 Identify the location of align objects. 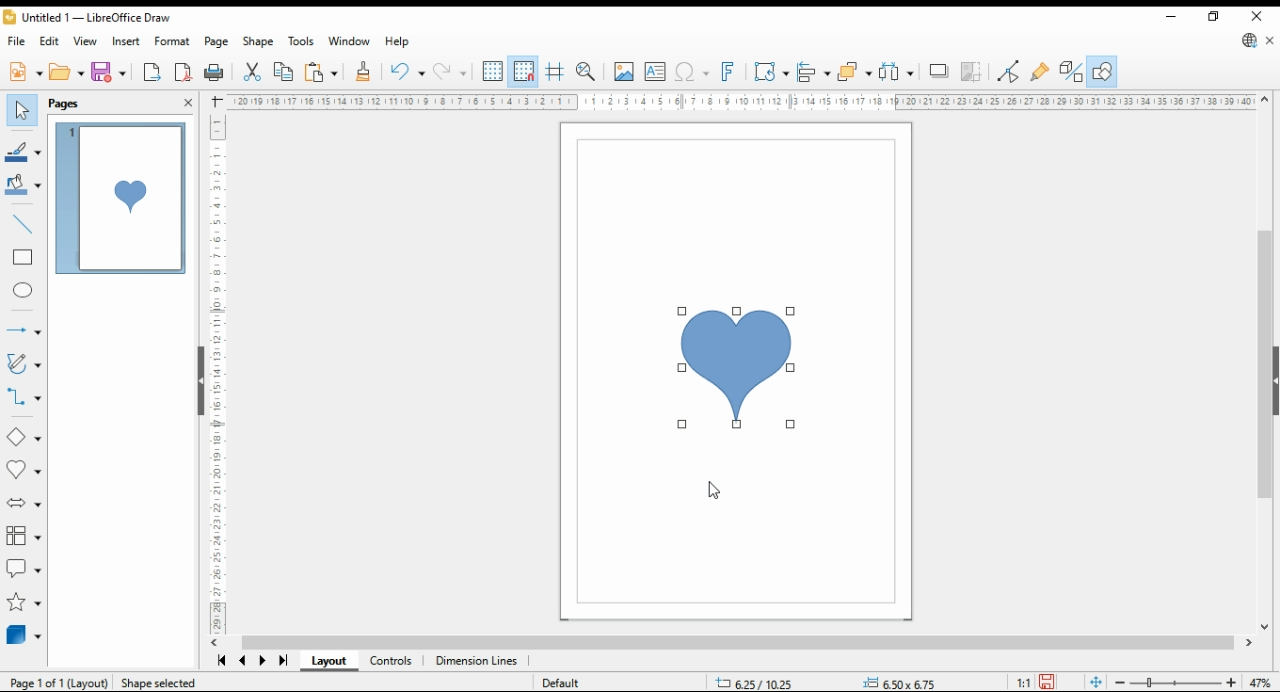
(814, 72).